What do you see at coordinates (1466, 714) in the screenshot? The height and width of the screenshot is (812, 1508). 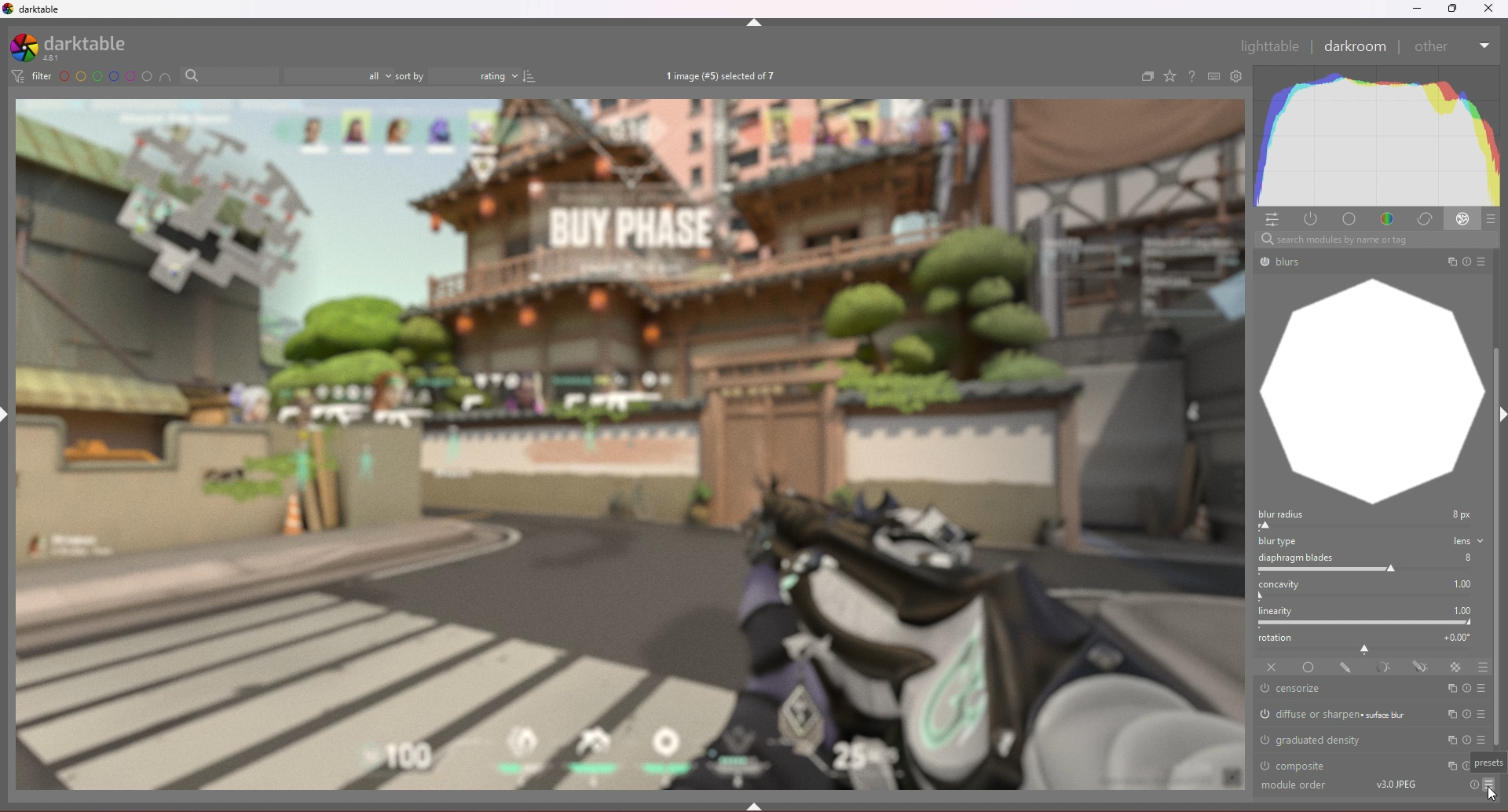 I see `reset` at bounding box center [1466, 714].